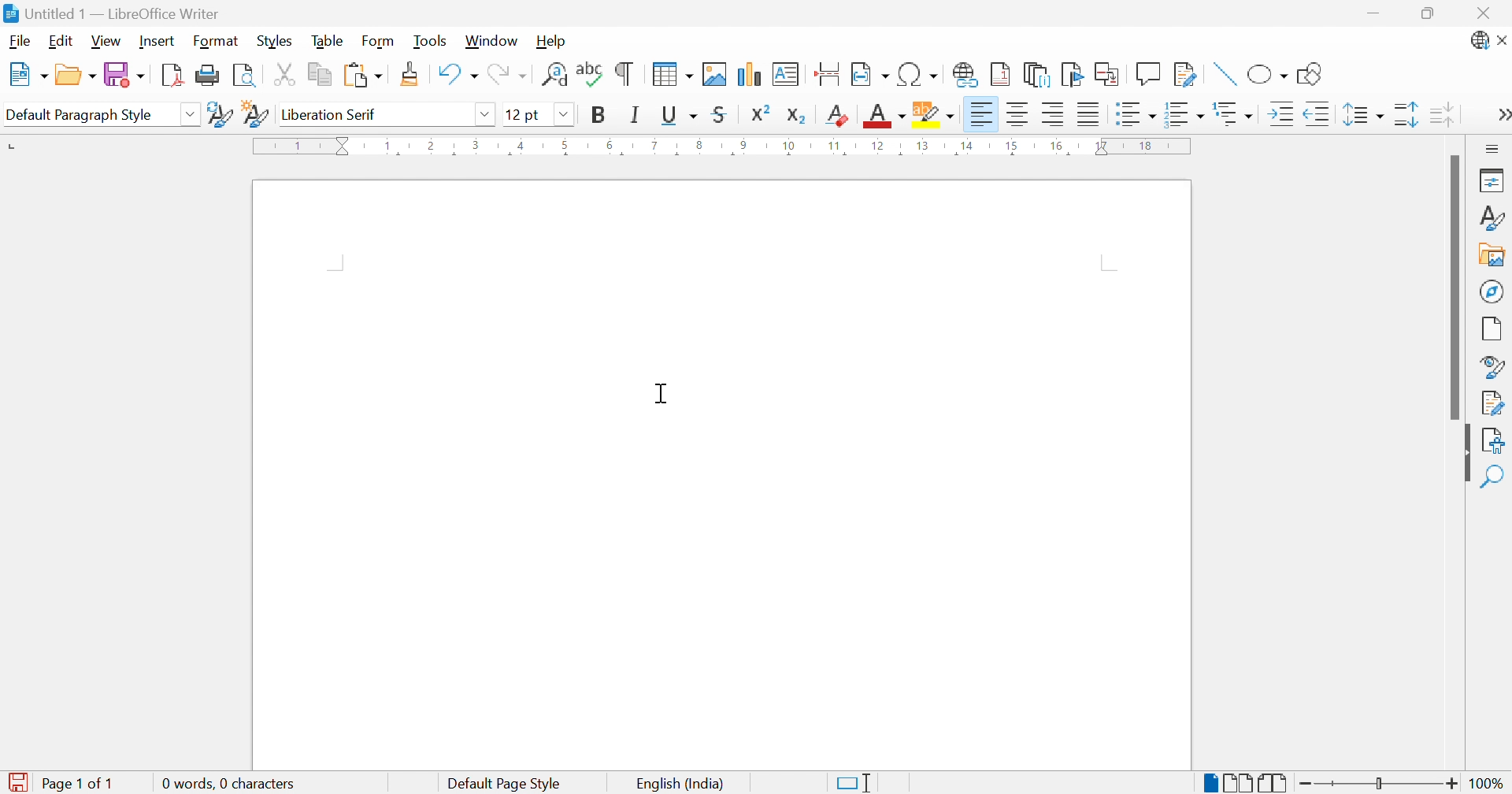  Describe the element at coordinates (1089, 113) in the screenshot. I see `Justified` at that location.